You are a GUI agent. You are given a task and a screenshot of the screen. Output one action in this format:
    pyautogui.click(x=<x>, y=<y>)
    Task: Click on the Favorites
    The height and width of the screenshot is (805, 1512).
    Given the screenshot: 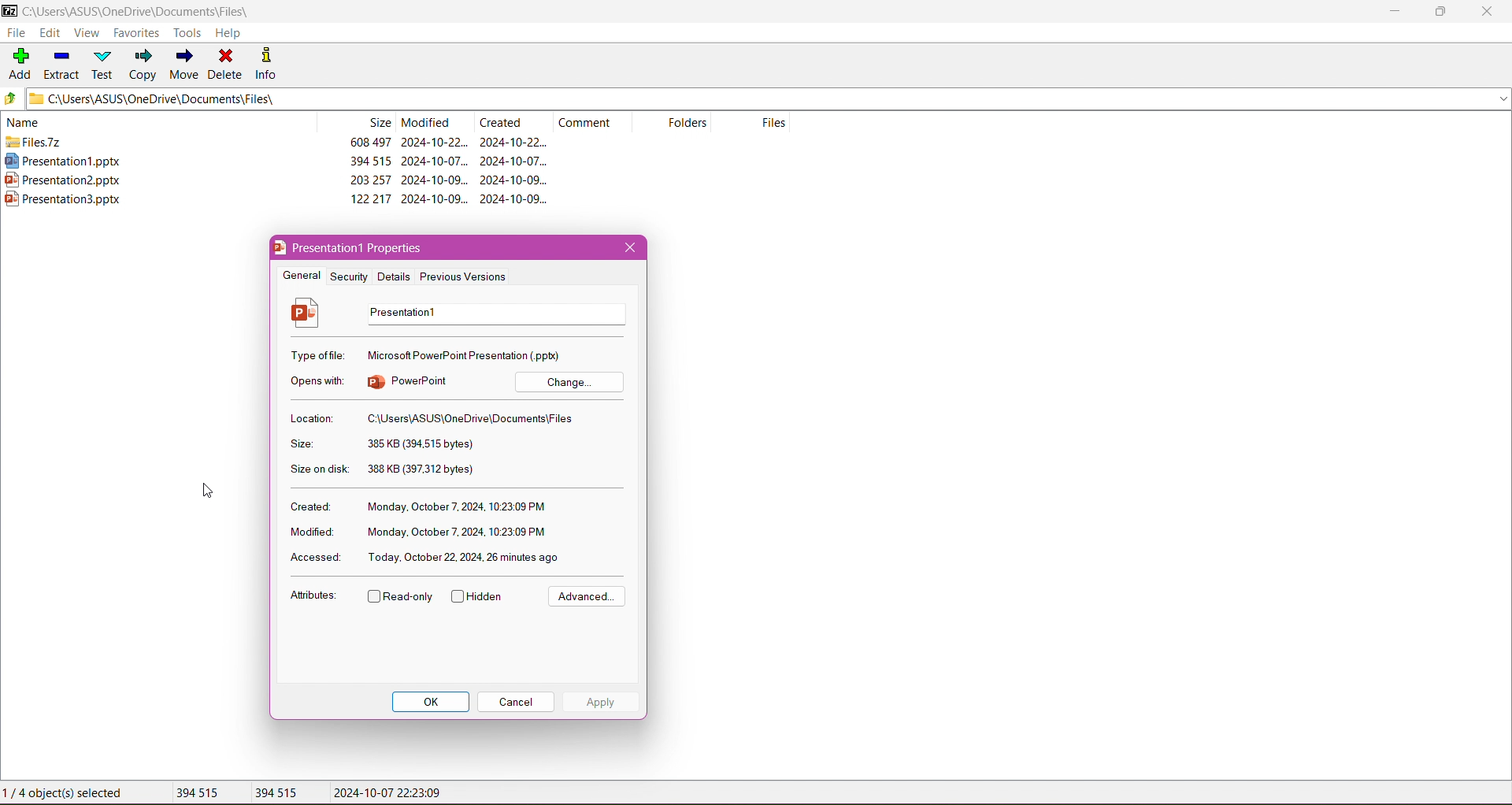 What is the action you would take?
    pyautogui.click(x=139, y=33)
    